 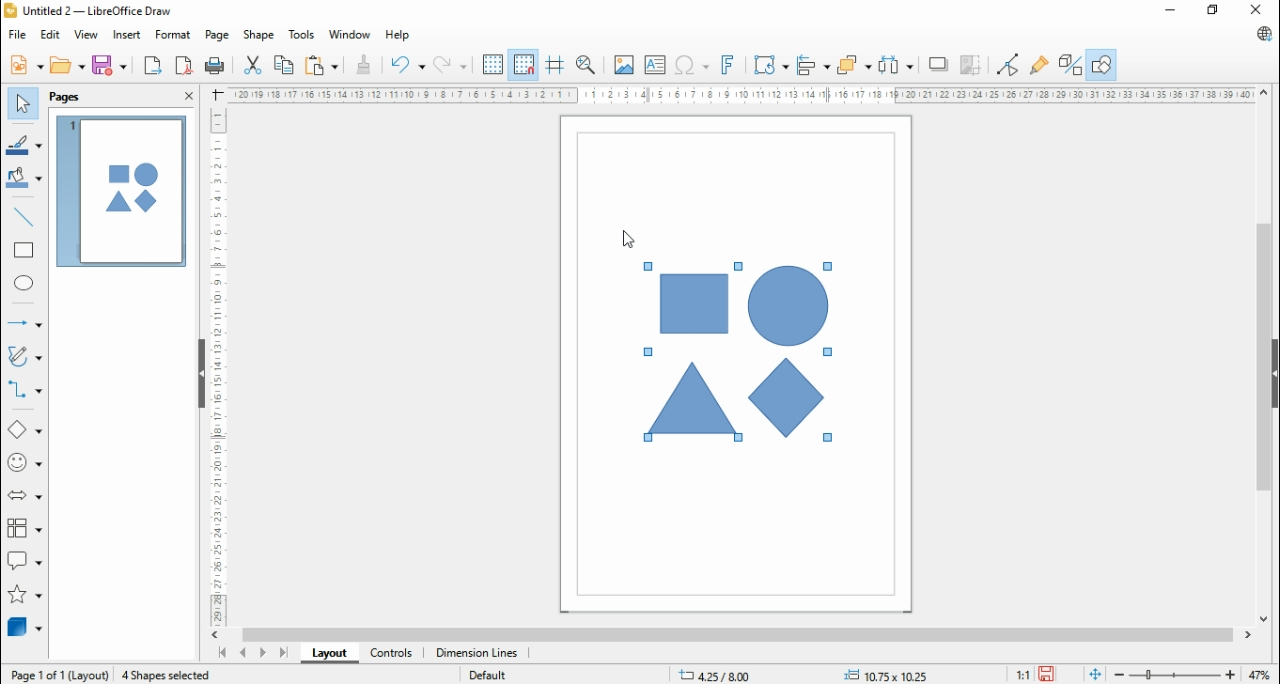 I want to click on dimension lines, so click(x=476, y=654).